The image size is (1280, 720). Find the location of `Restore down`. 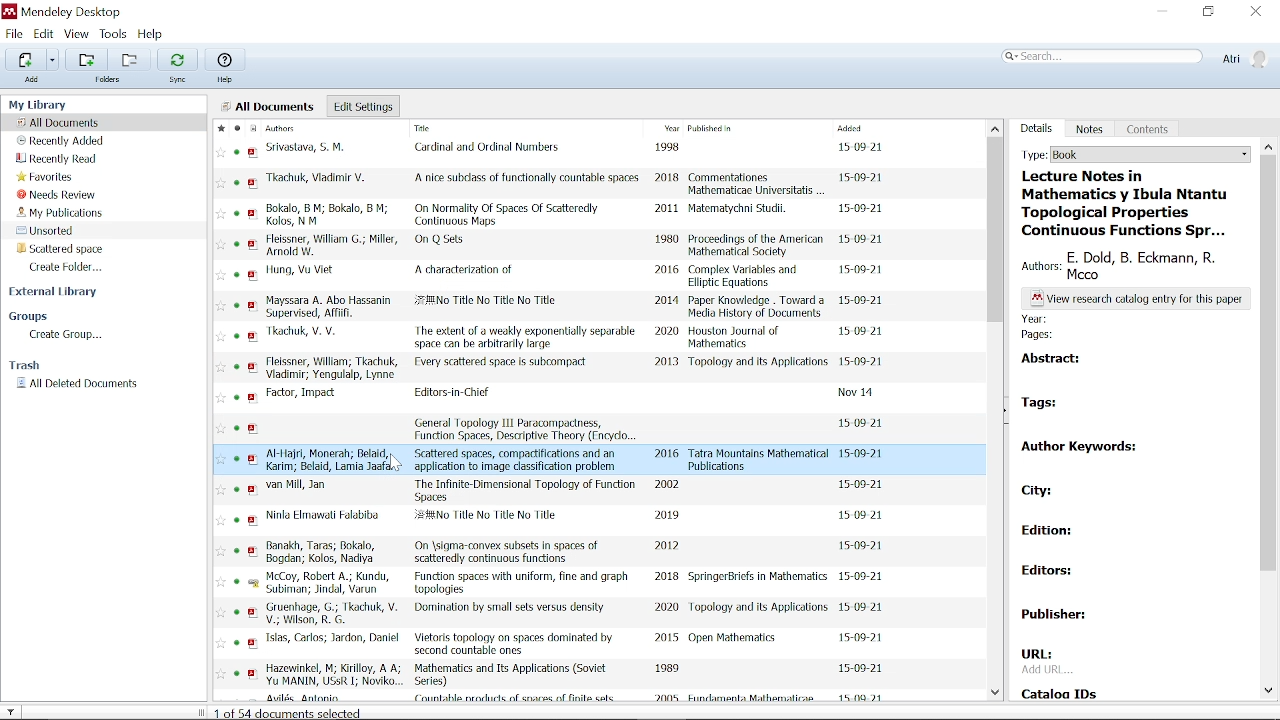

Restore down is located at coordinates (1208, 13).